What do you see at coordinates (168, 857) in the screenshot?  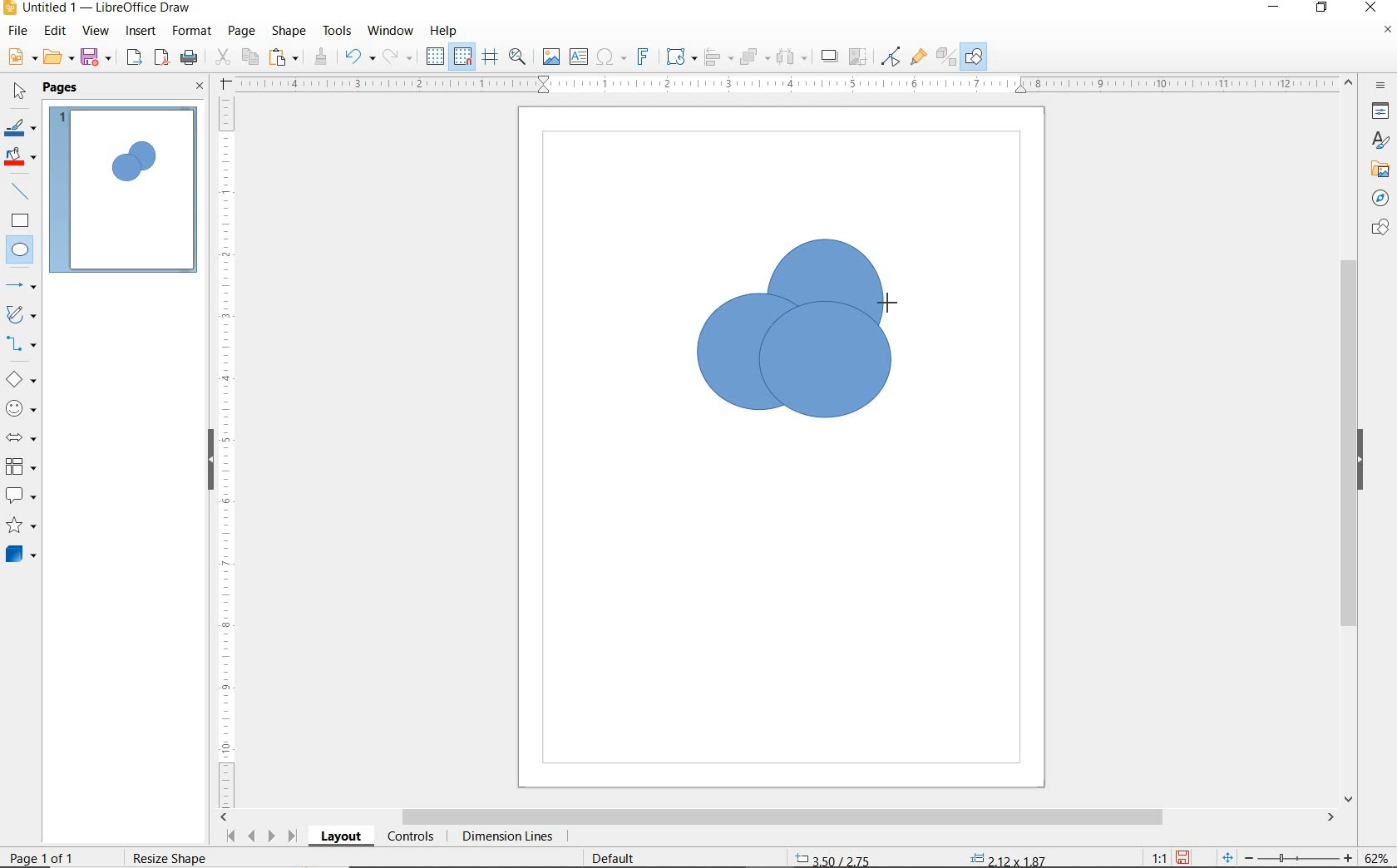 I see `rESIZE sHAPE` at bounding box center [168, 857].